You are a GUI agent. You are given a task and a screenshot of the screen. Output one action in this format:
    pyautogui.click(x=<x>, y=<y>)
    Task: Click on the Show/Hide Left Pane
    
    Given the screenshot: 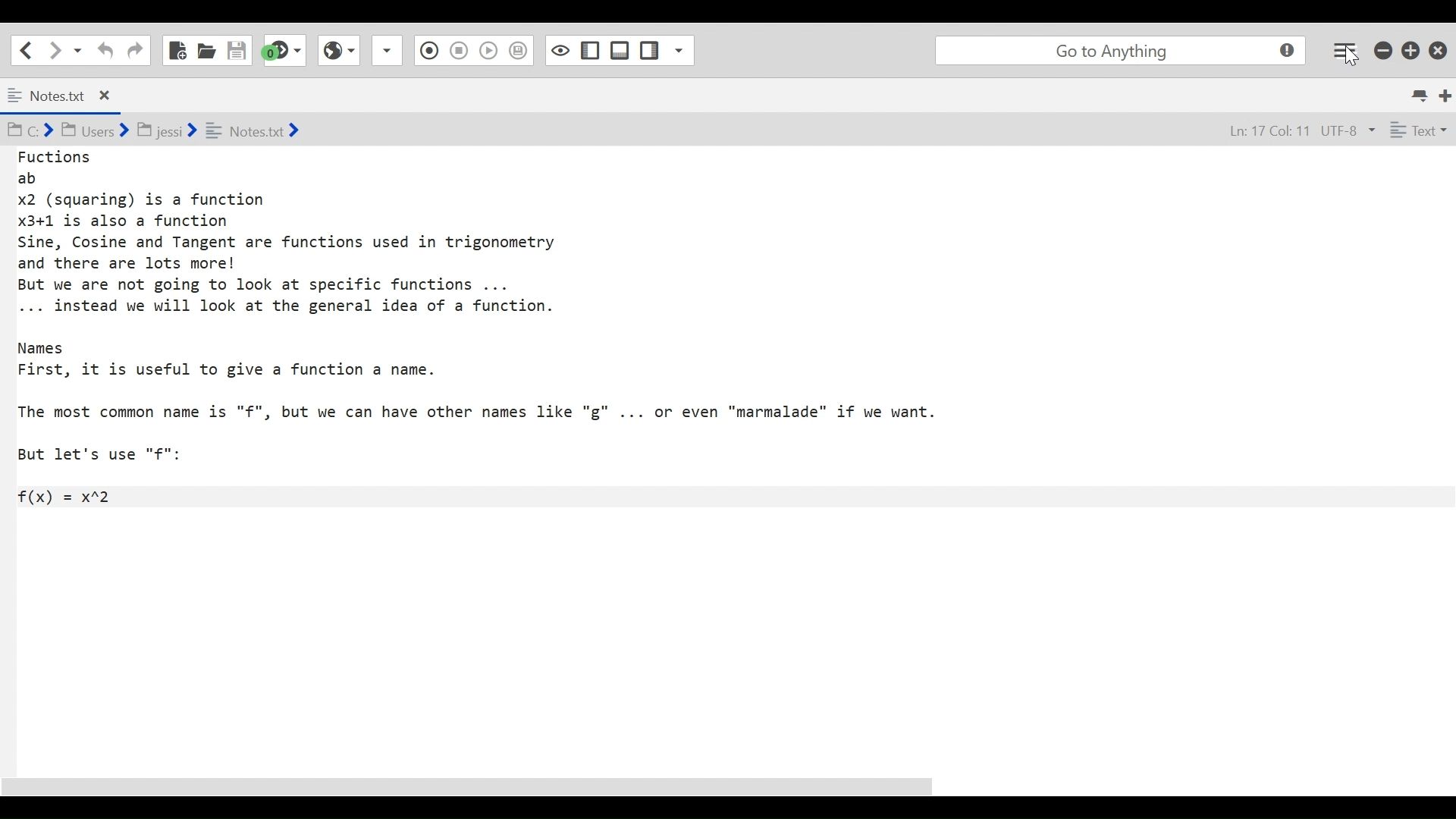 What is the action you would take?
    pyautogui.click(x=620, y=50)
    